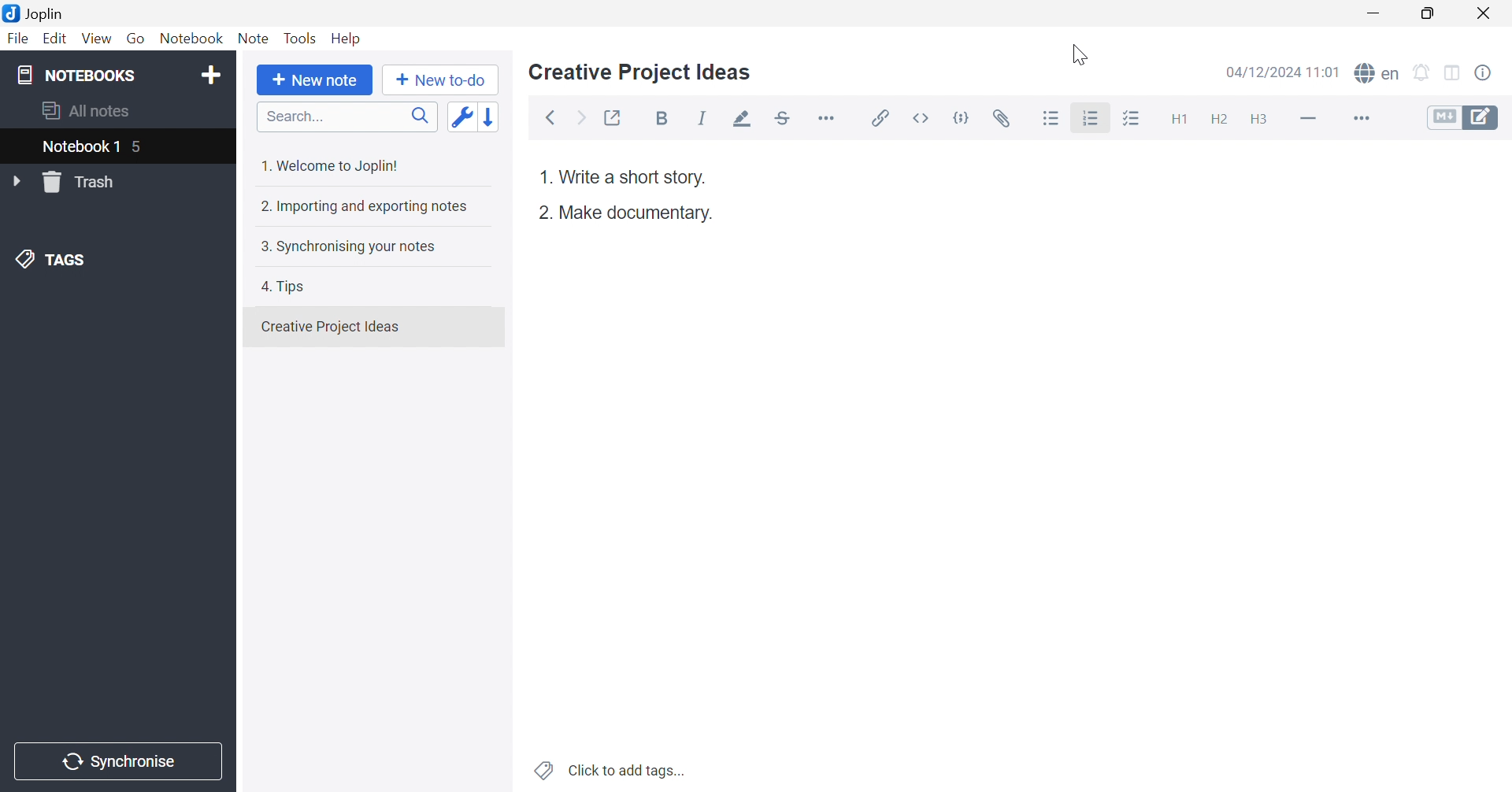 Image resolution: width=1512 pixels, height=792 pixels. I want to click on Notebook 1, so click(79, 148).